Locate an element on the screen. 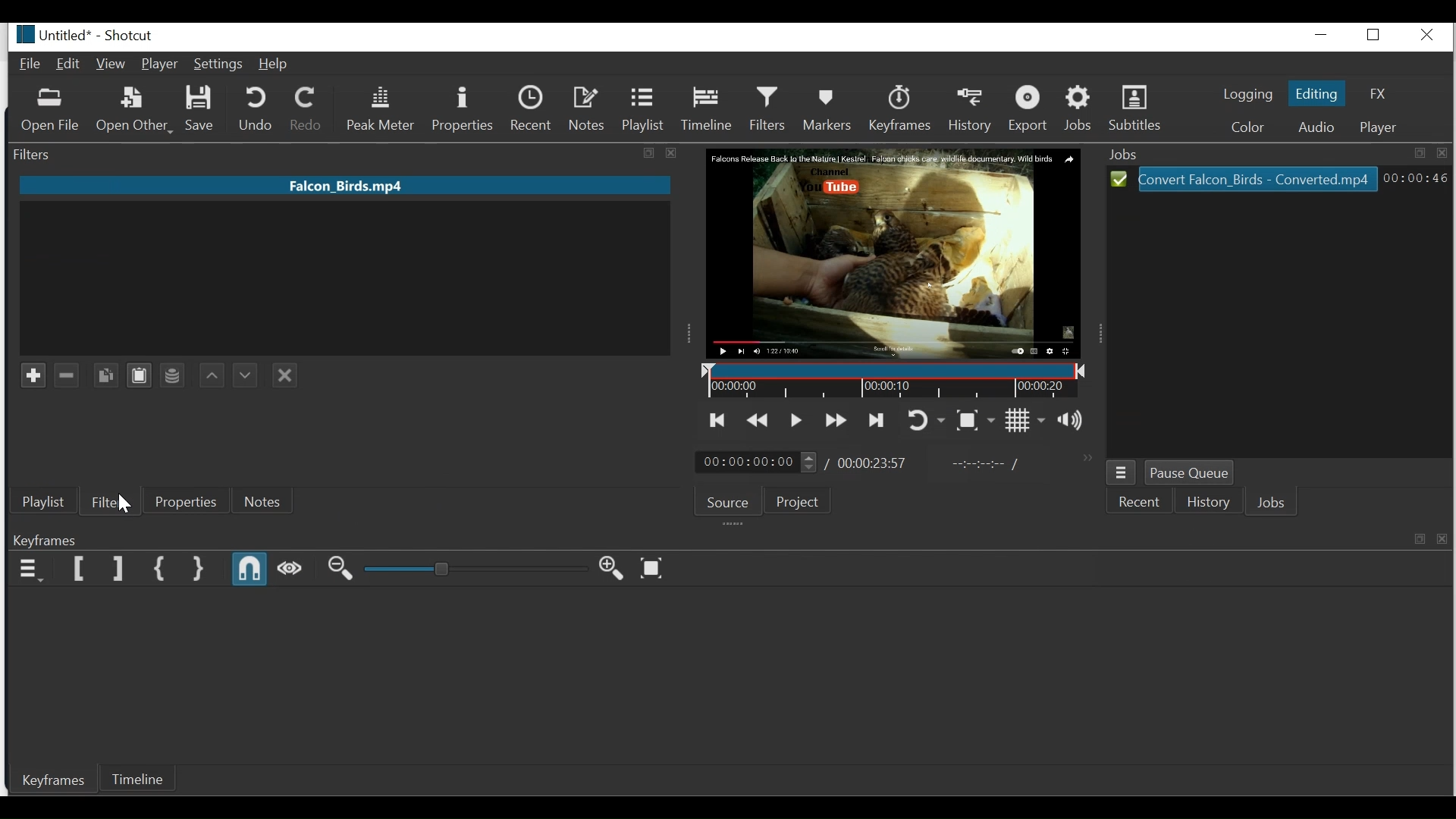 Image resolution: width=1456 pixels, height=819 pixels. Help is located at coordinates (275, 64).